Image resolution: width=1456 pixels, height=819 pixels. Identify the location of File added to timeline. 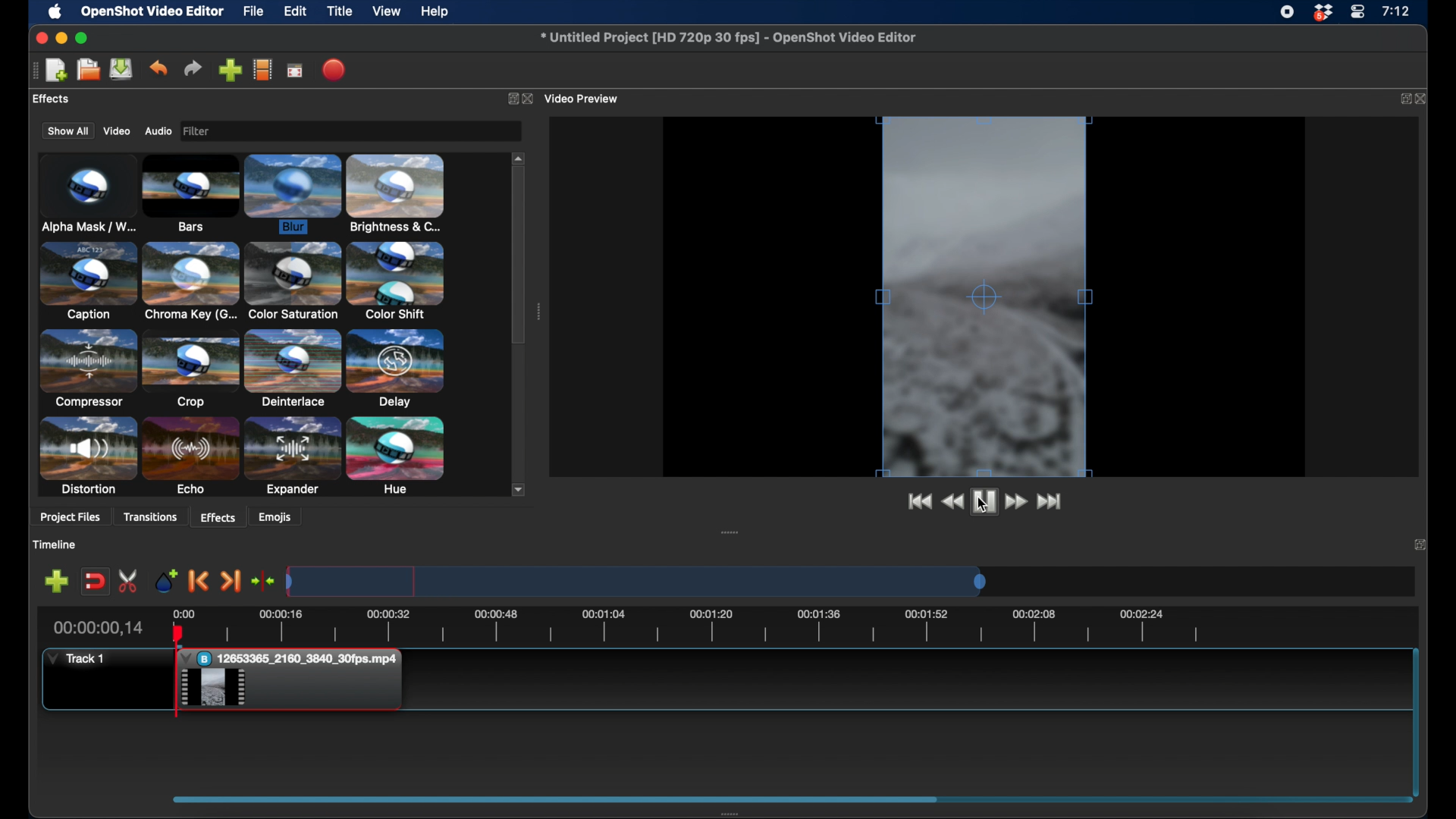
(294, 681).